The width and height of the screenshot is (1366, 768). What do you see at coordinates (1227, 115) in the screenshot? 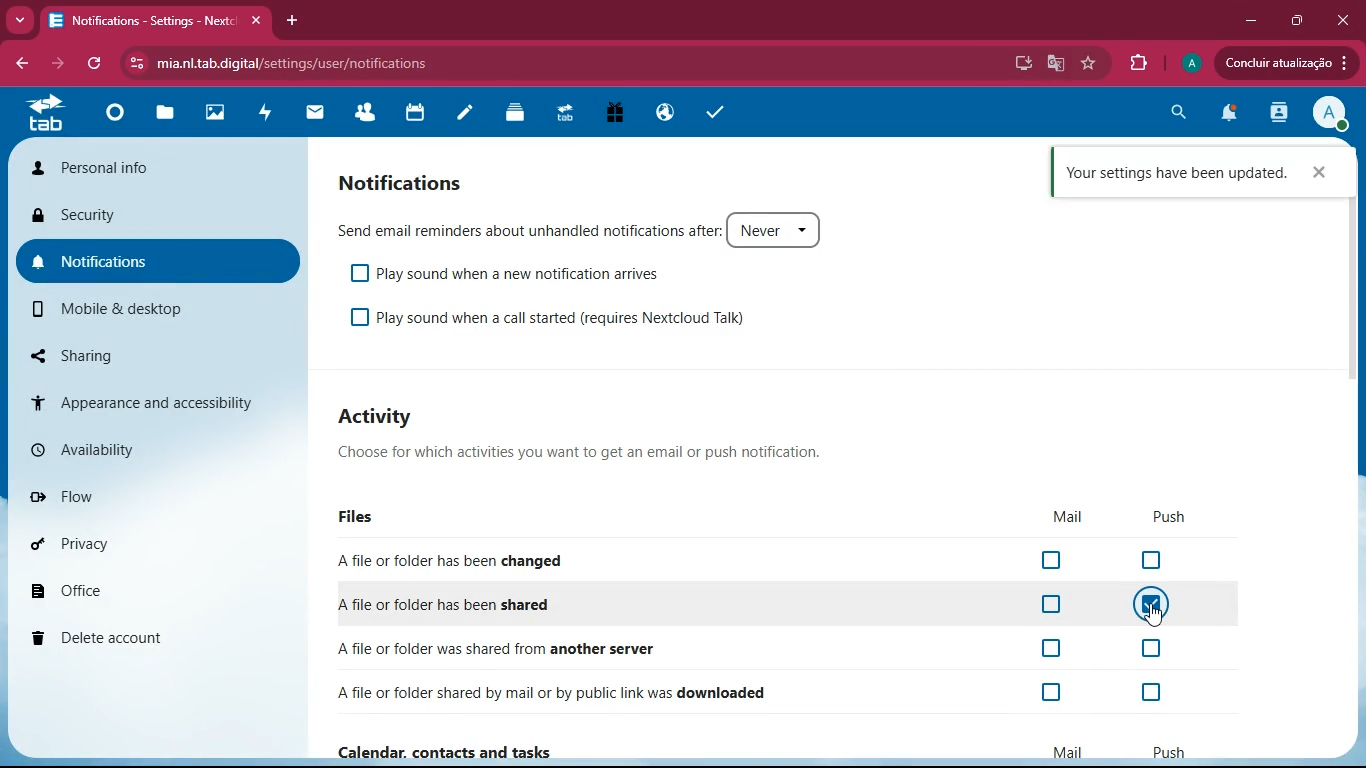
I see `notifications` at bounding box center [1227, 115].